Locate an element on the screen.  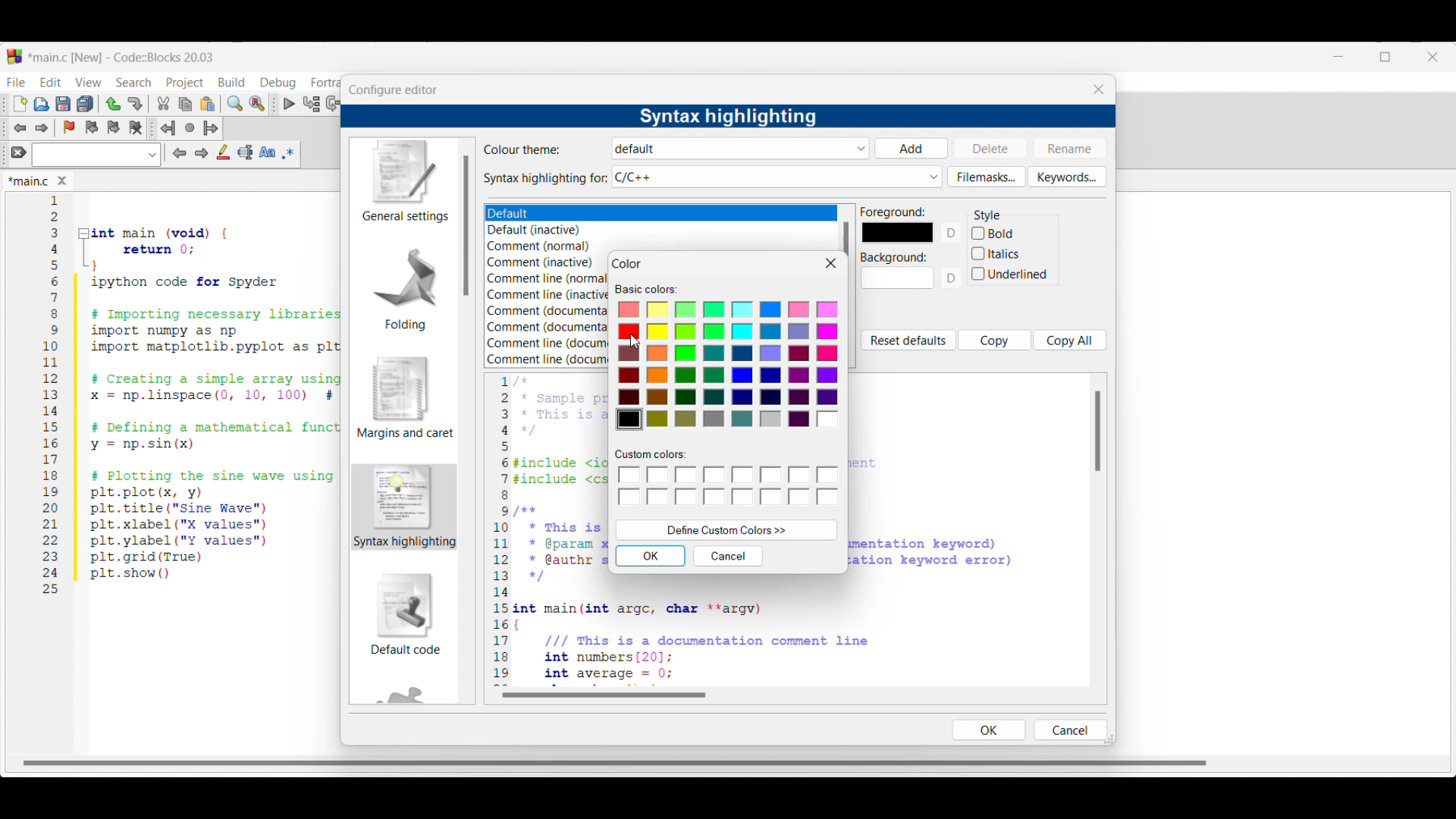
Highlight is located at coordinates (223, 152).